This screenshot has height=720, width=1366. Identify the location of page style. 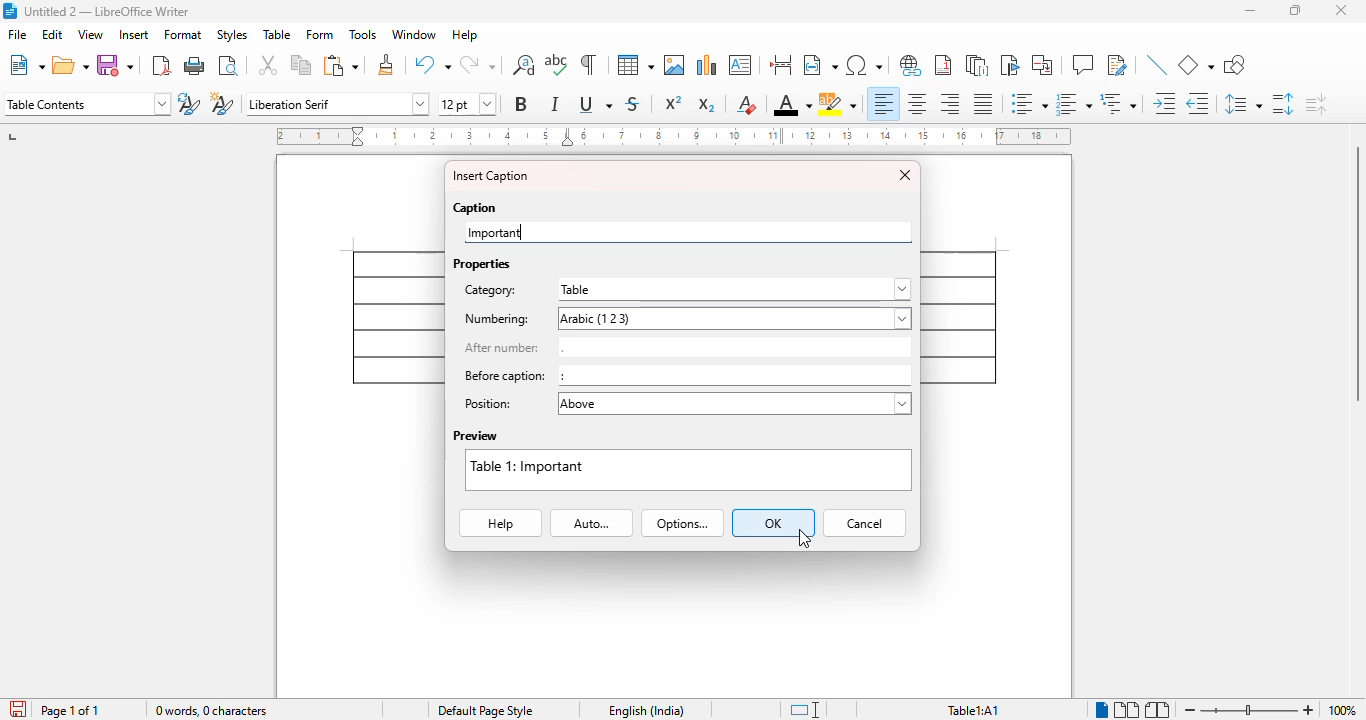
(486, 710).